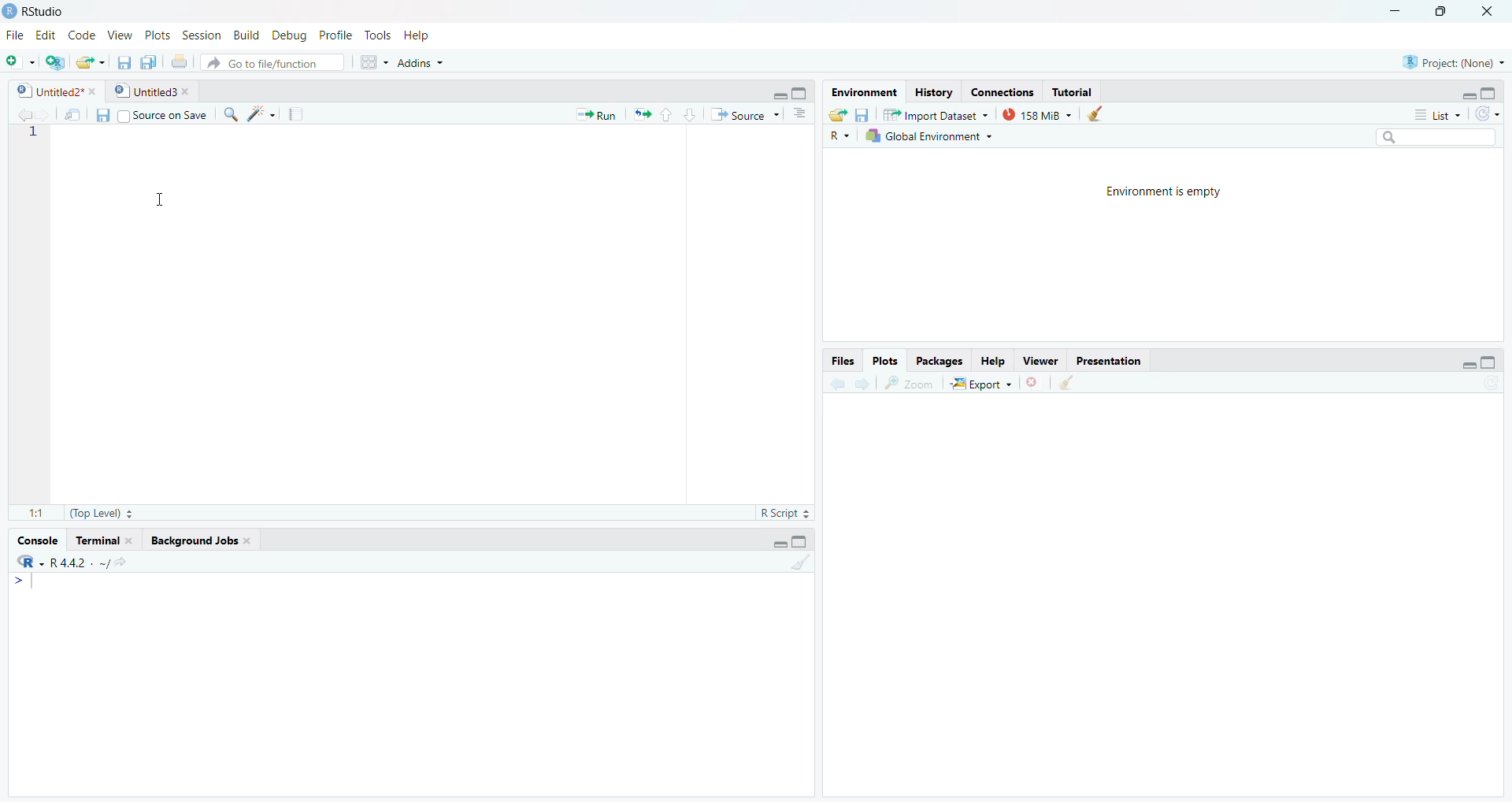 The image size is (1512, 802). Describe the element at coordinates (1173, 602) in the screenshot. I see `Pane` at that location.